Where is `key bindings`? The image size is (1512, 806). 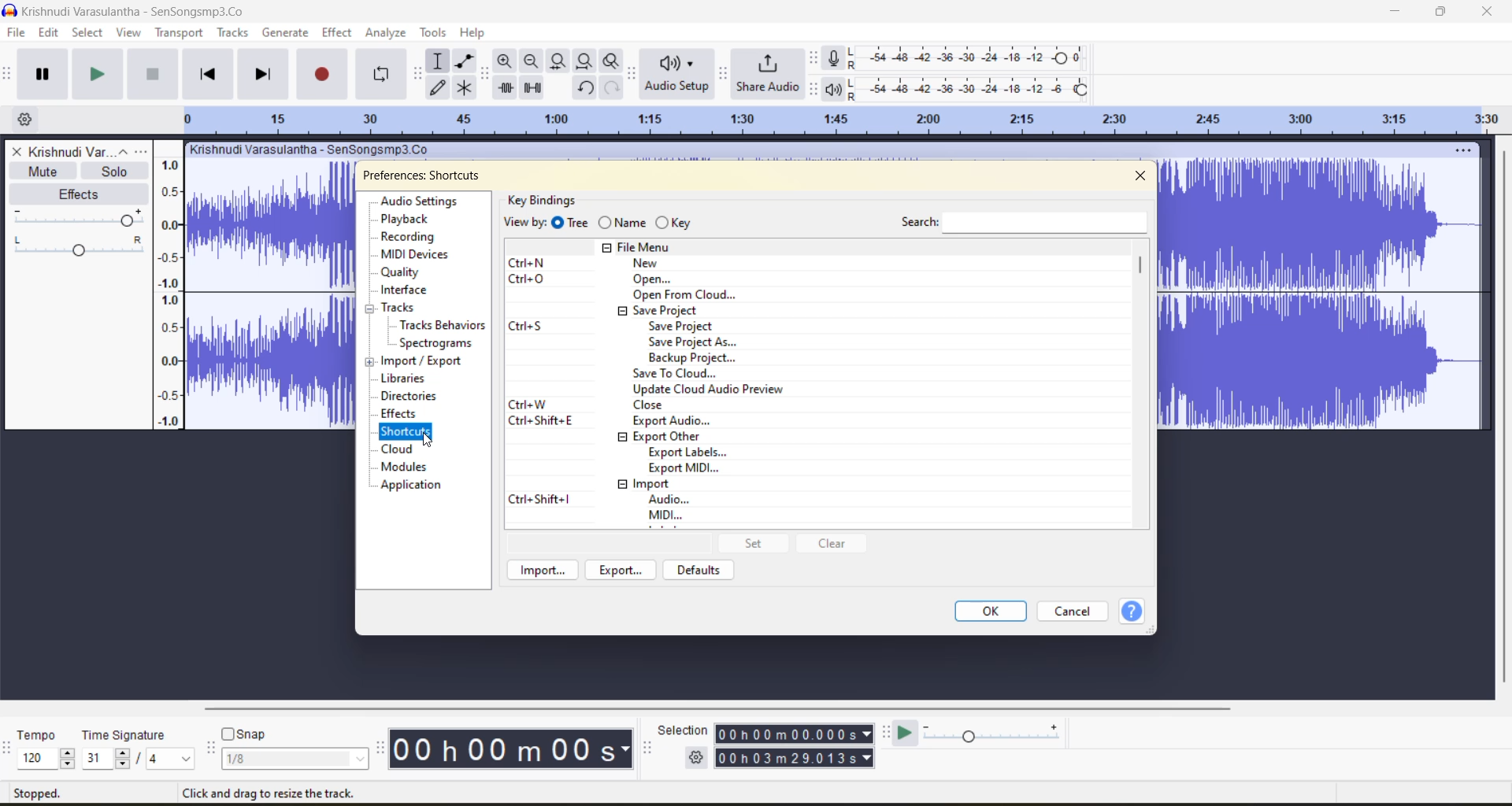 key bindings is located at coordinates (547, 201).